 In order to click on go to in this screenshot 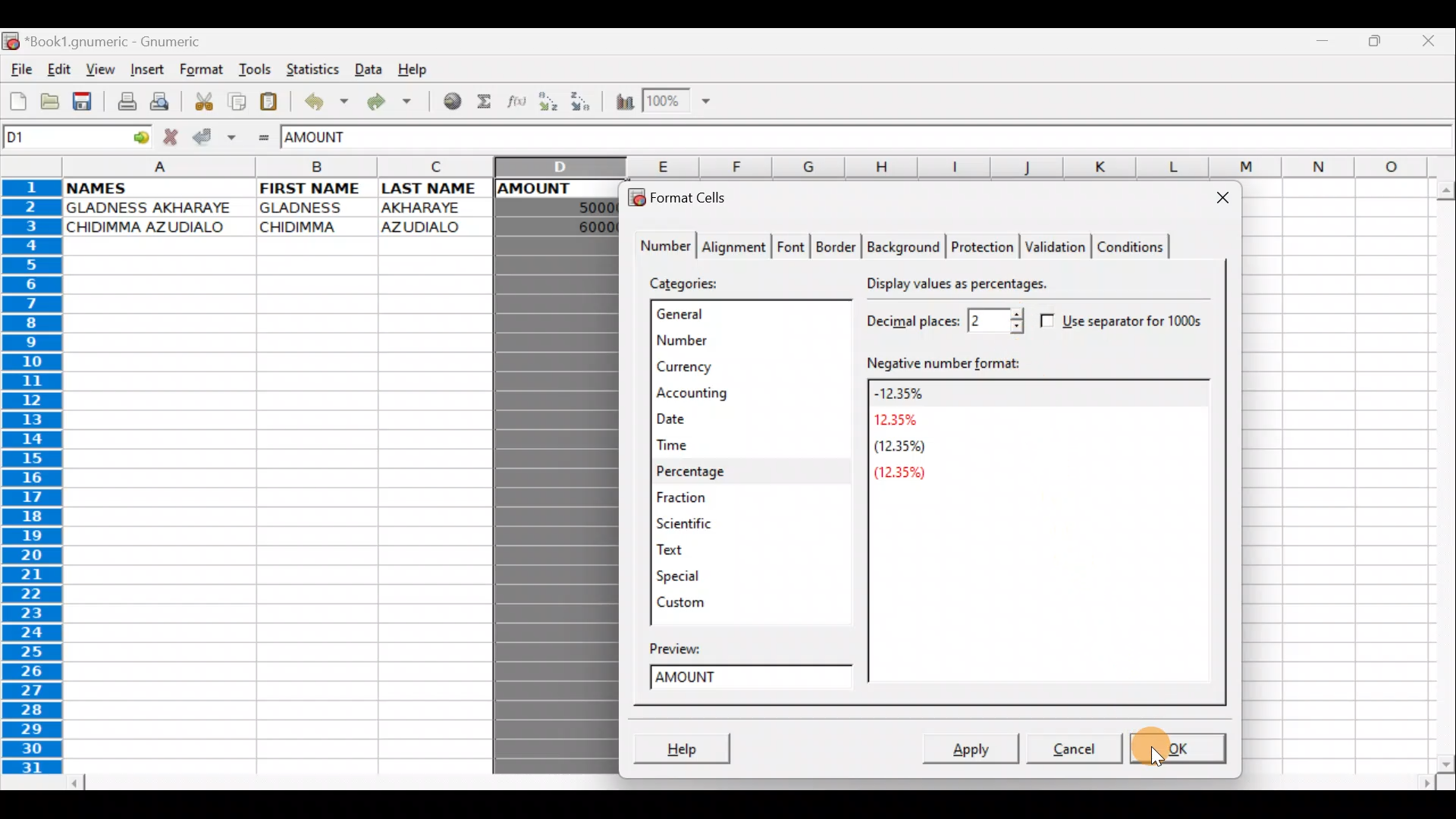, I will do `click(144, 138)`.